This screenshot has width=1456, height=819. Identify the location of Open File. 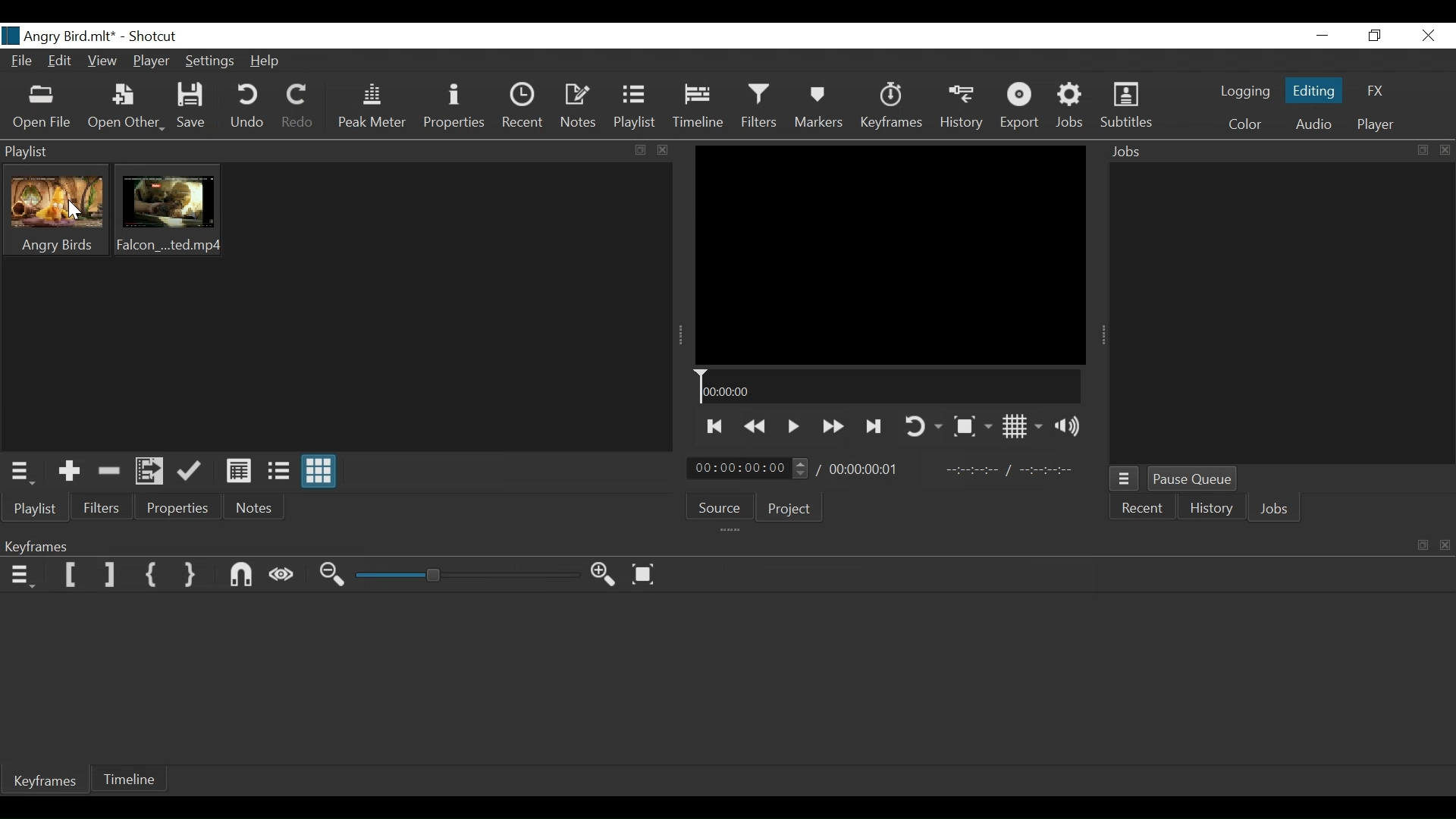
(40, 108).